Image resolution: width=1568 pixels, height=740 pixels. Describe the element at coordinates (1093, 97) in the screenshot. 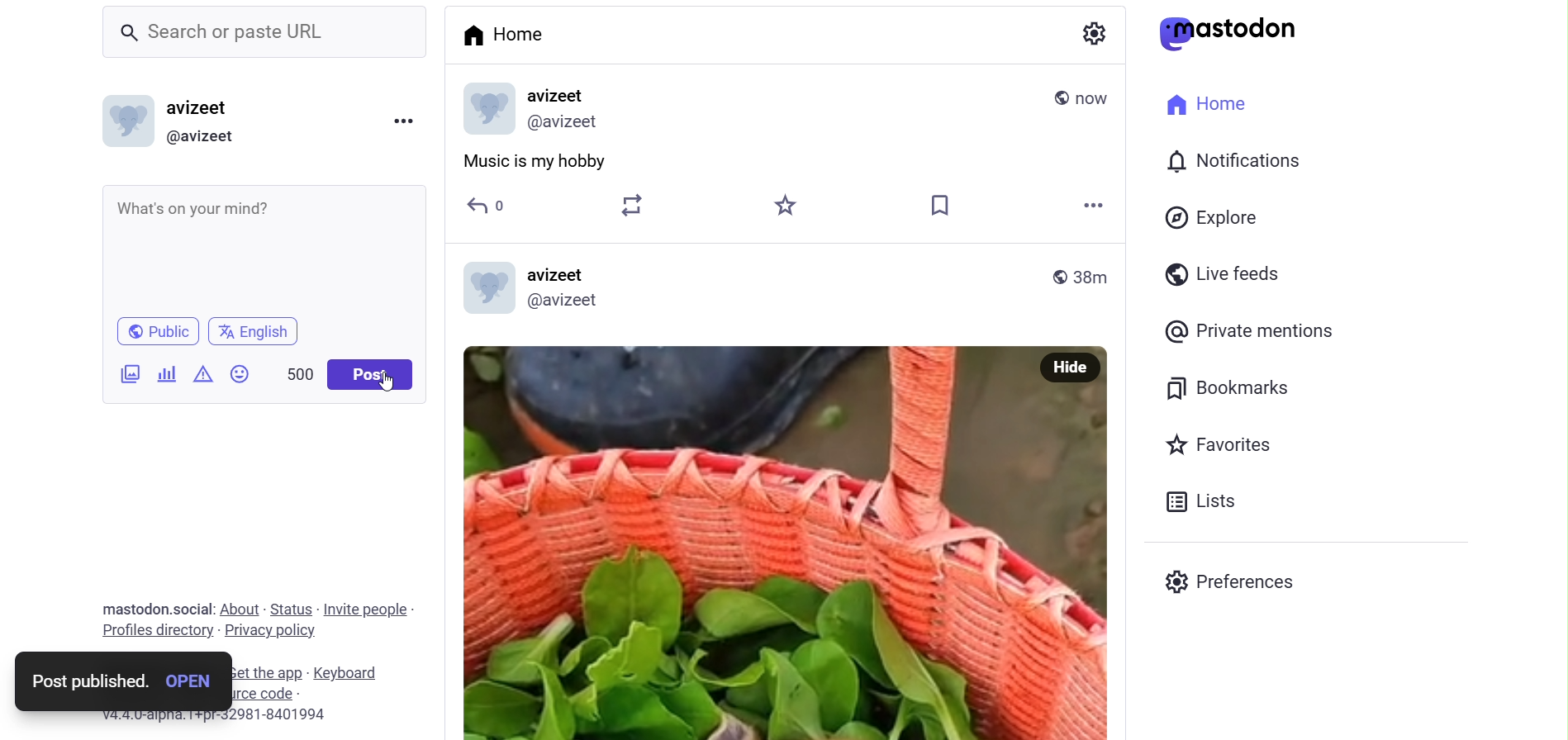

I see `now` at that location.